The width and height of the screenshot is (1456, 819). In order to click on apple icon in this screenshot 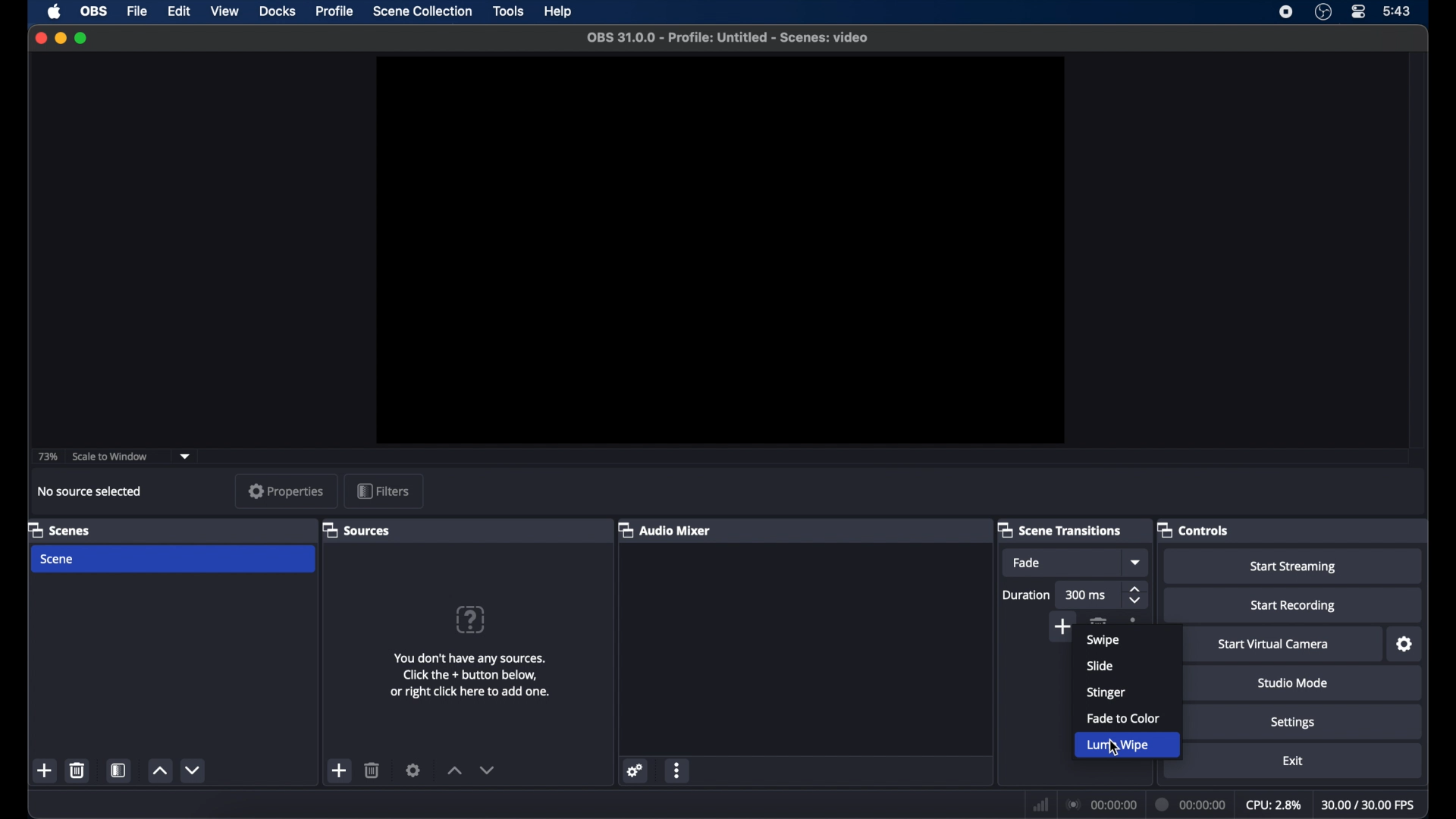, I will do `click(55, 12)`.